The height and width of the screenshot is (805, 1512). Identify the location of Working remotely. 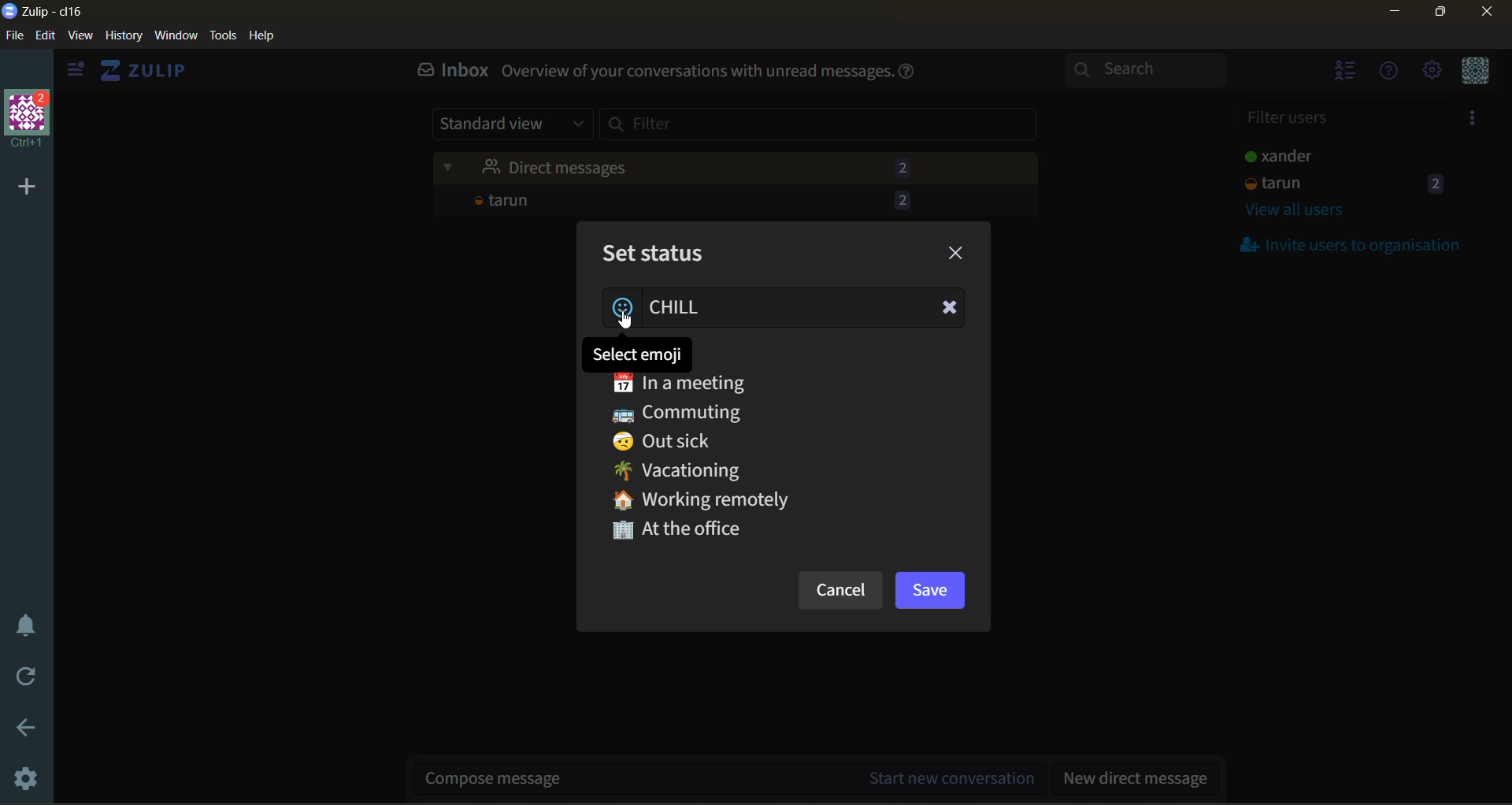
(717, 499).